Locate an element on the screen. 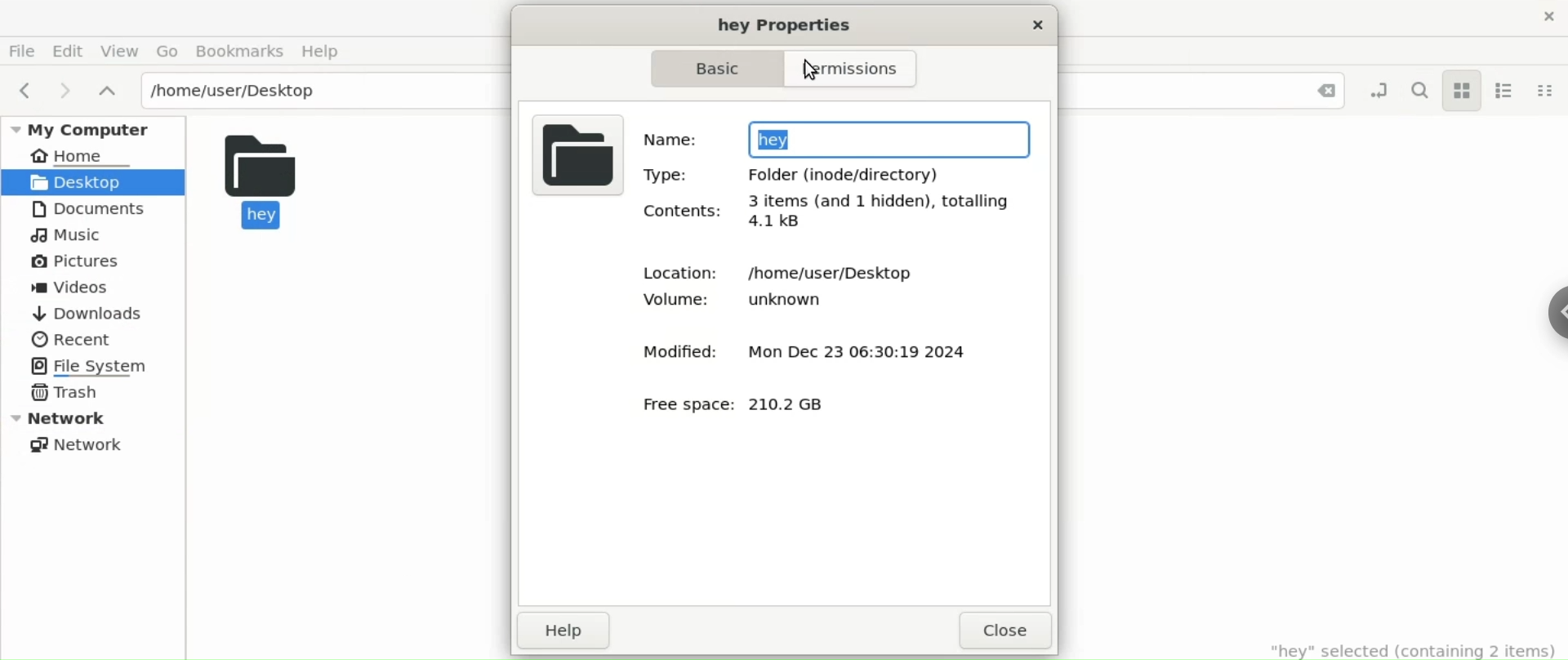 The width and height of the screenshot is (1568, 660). Recent is located at coordinates (71, 341).